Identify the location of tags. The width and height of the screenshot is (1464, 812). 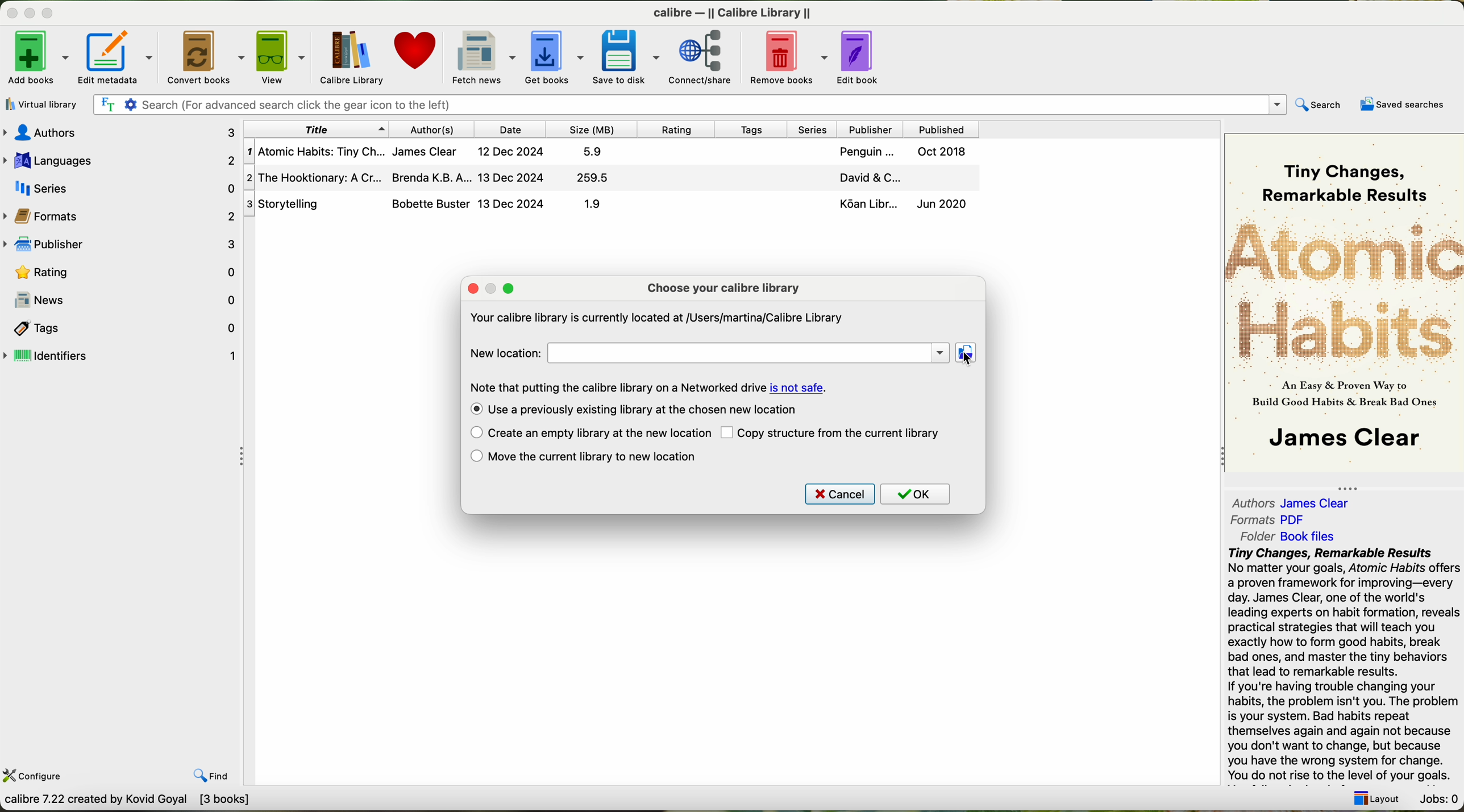
(756, 130).